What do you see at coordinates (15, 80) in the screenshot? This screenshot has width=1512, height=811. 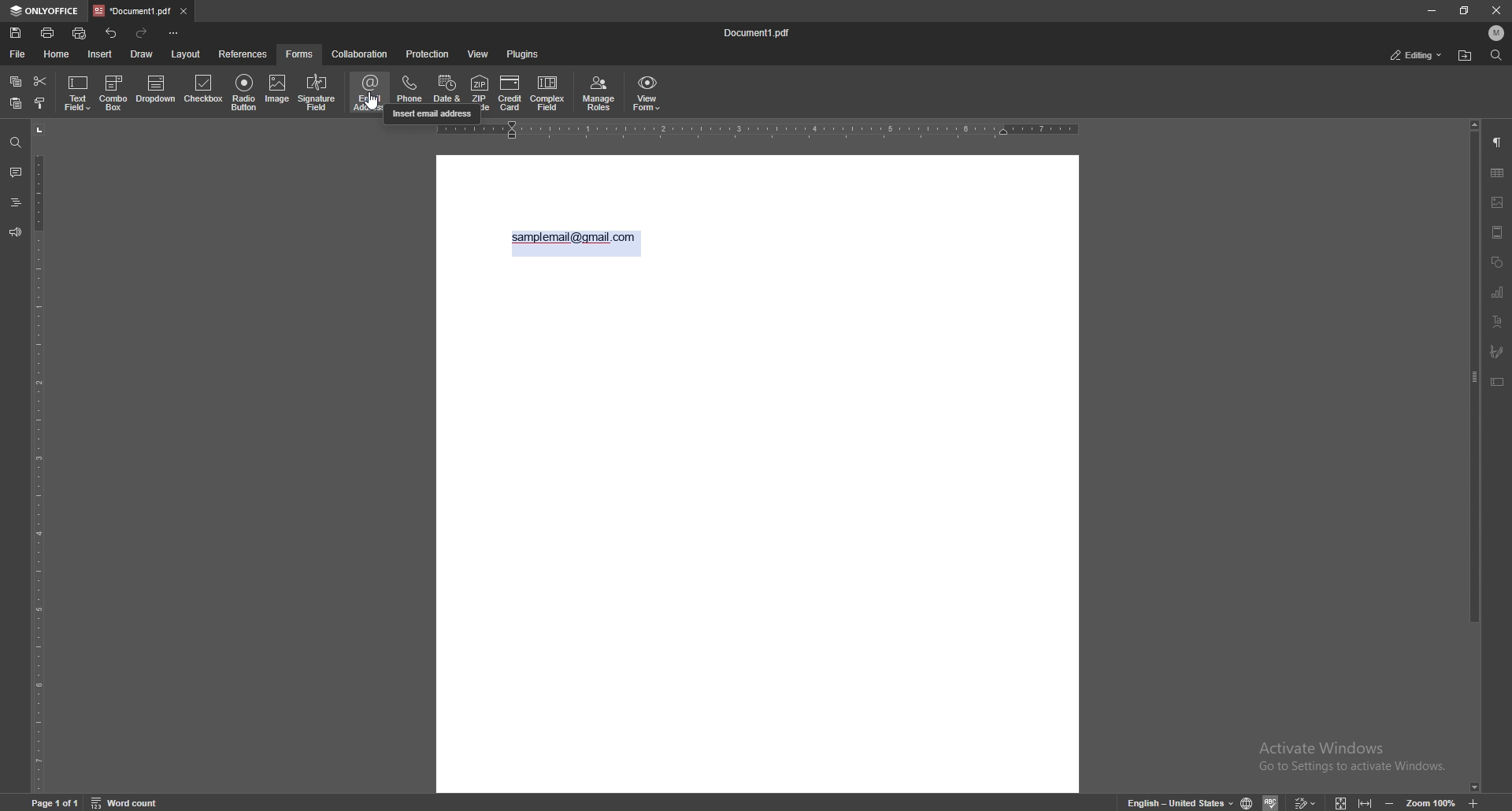 I see `copy` at bounding box center [15, 80].